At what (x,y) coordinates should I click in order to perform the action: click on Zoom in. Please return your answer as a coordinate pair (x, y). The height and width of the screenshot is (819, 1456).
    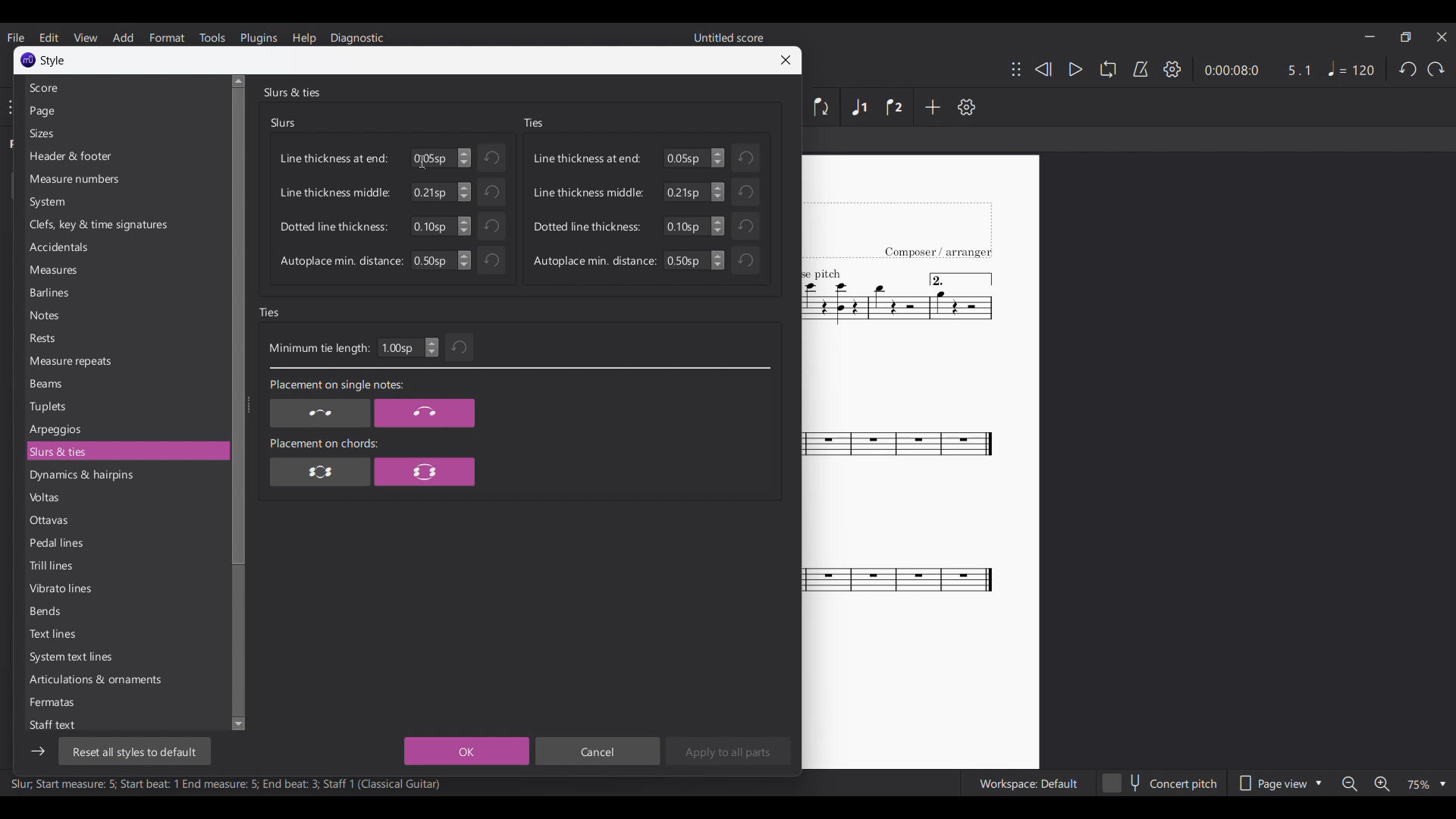
    Looking at the image, I should click on (1380, 783).